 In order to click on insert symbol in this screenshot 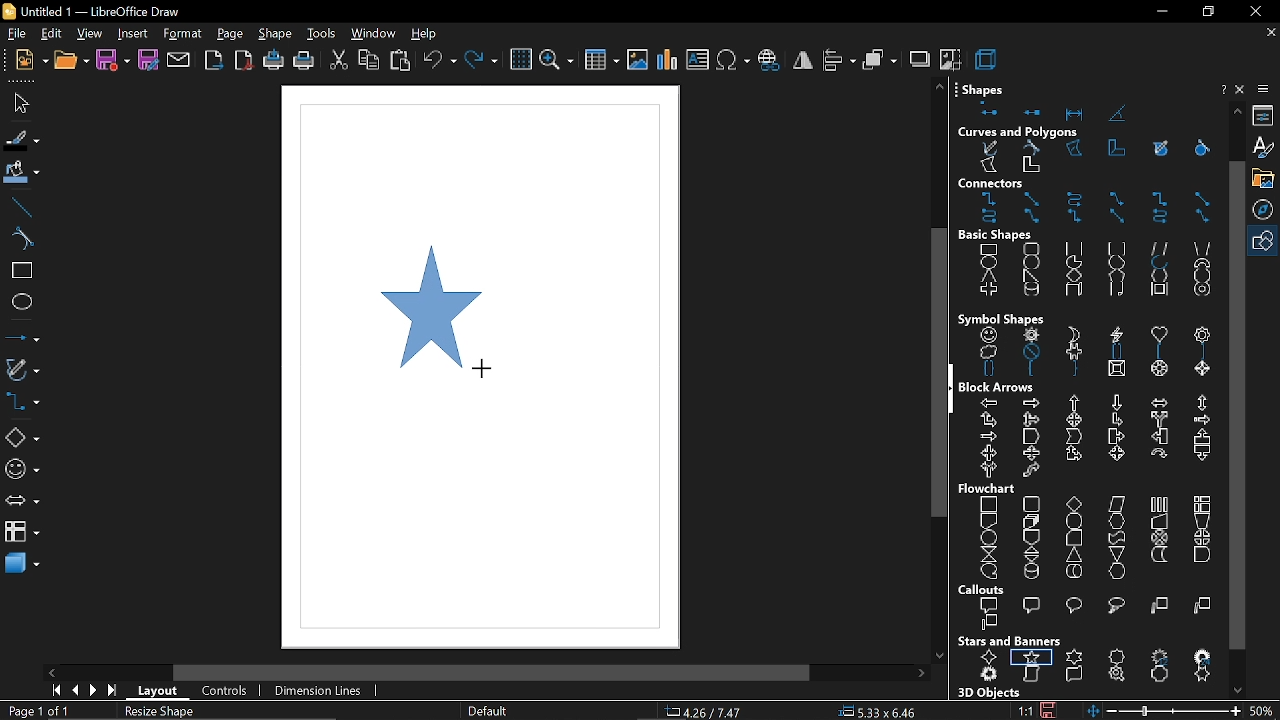, I will do `click(734, 61)`.